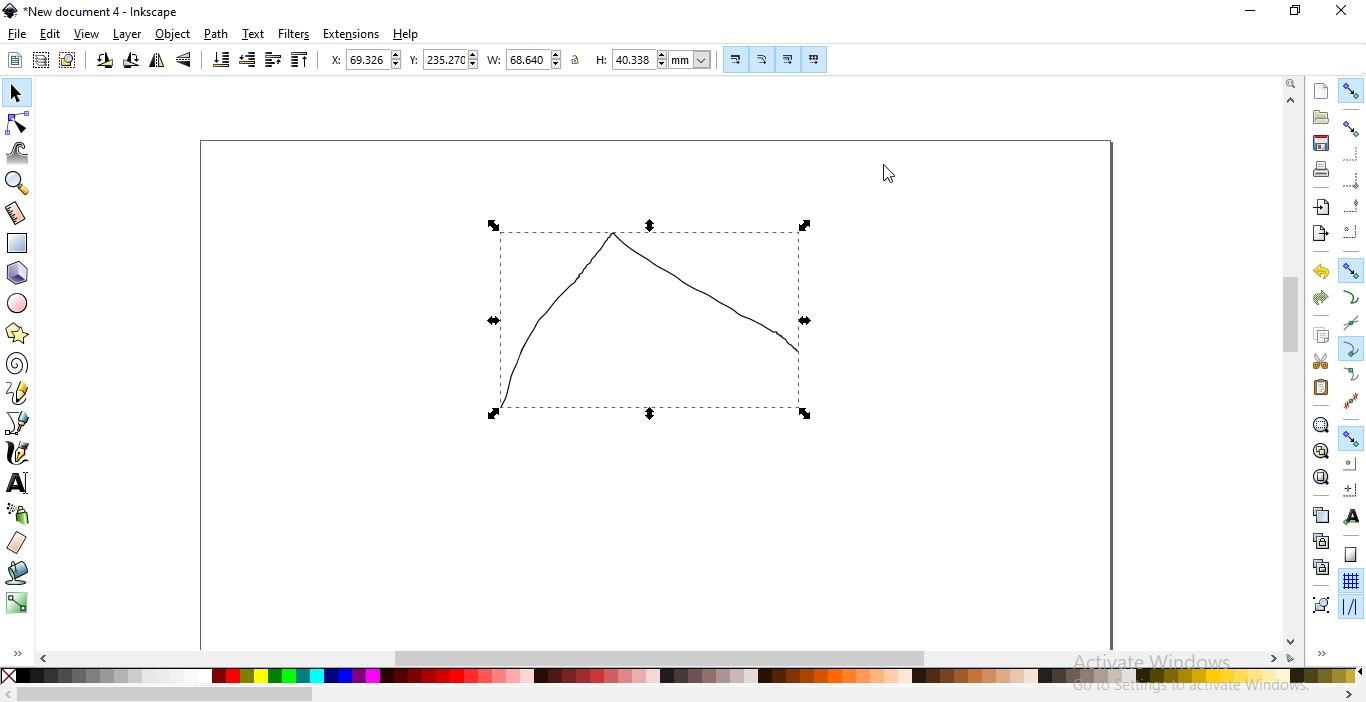 The height and width of the screenshot is (702, 1366). What do you see at coordinates (214, 34) in the screenshot?
I see `path` at bounding box center [214, 34].